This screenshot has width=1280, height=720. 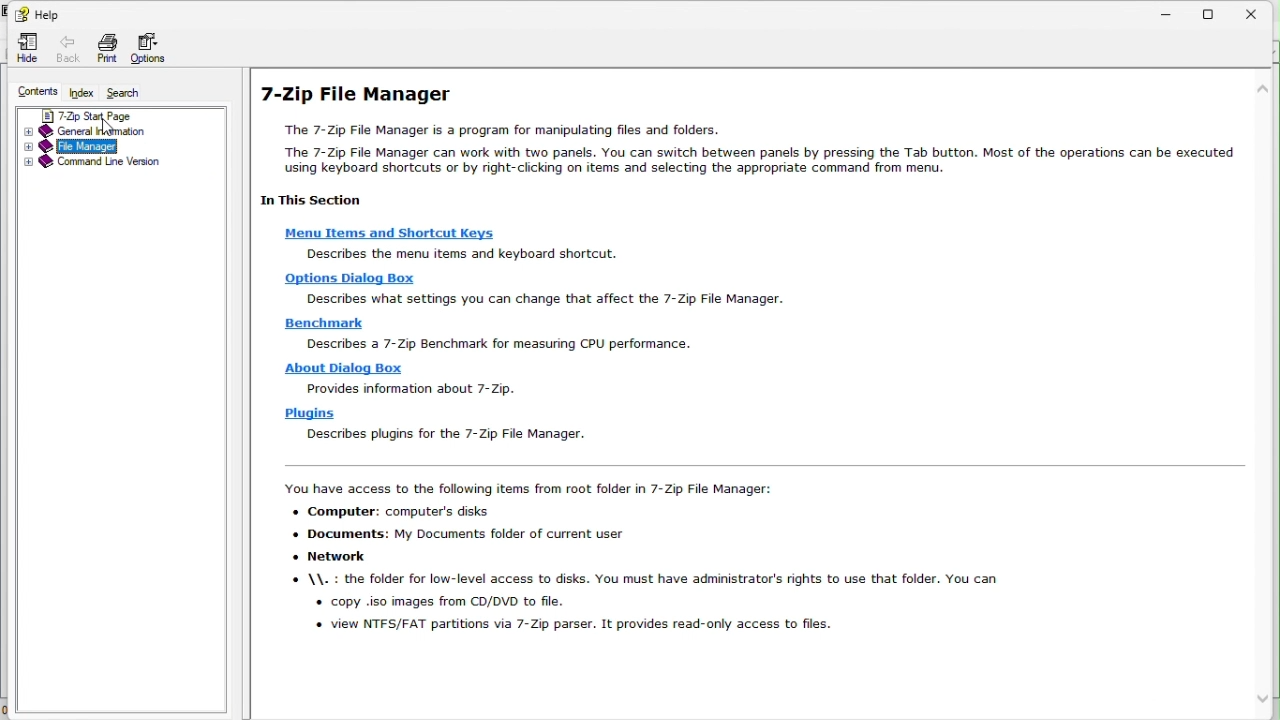 I want to click on General information, so click(x=111, y=131).